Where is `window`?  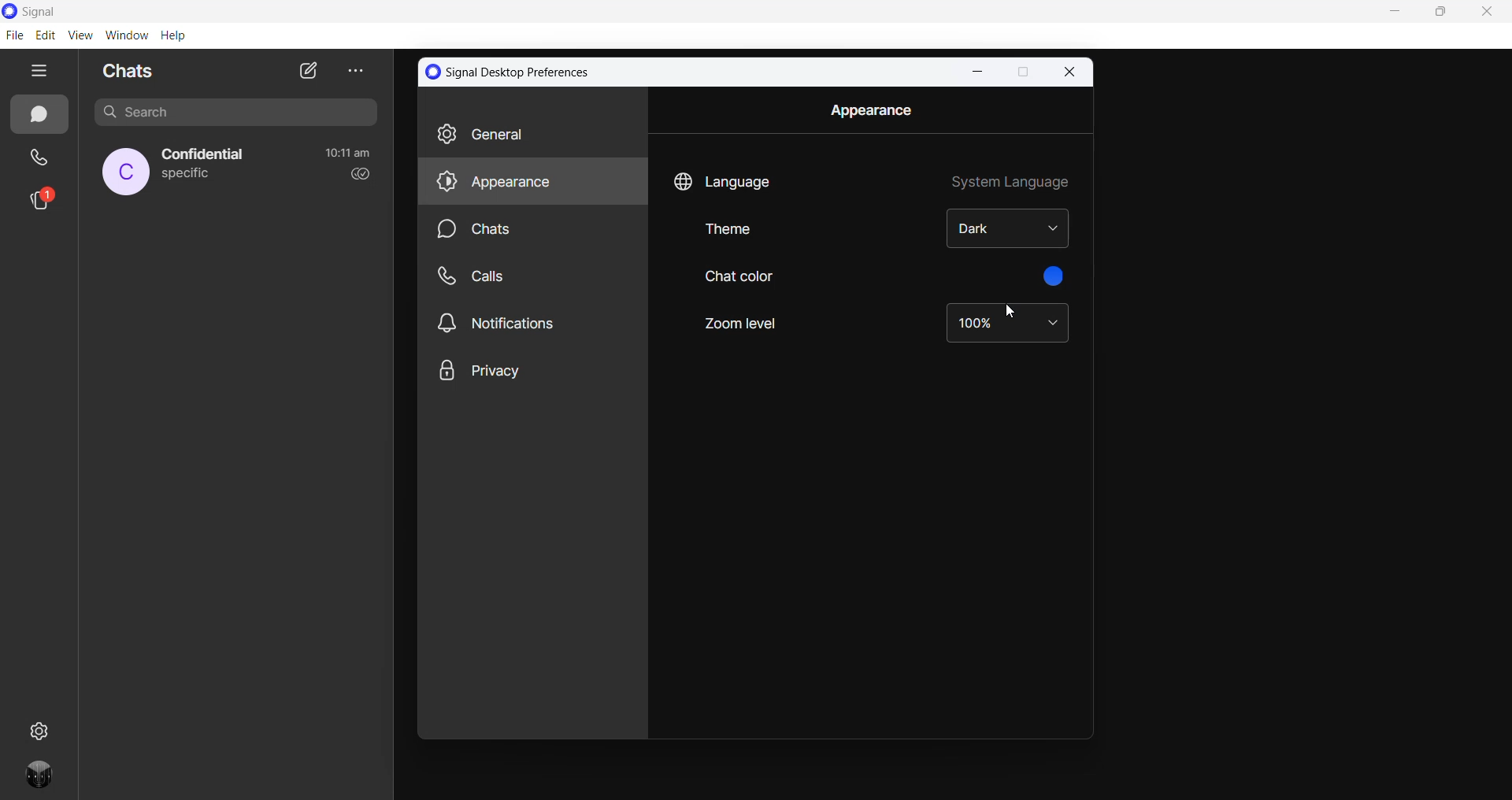
window is located at coordinates (126, 35).